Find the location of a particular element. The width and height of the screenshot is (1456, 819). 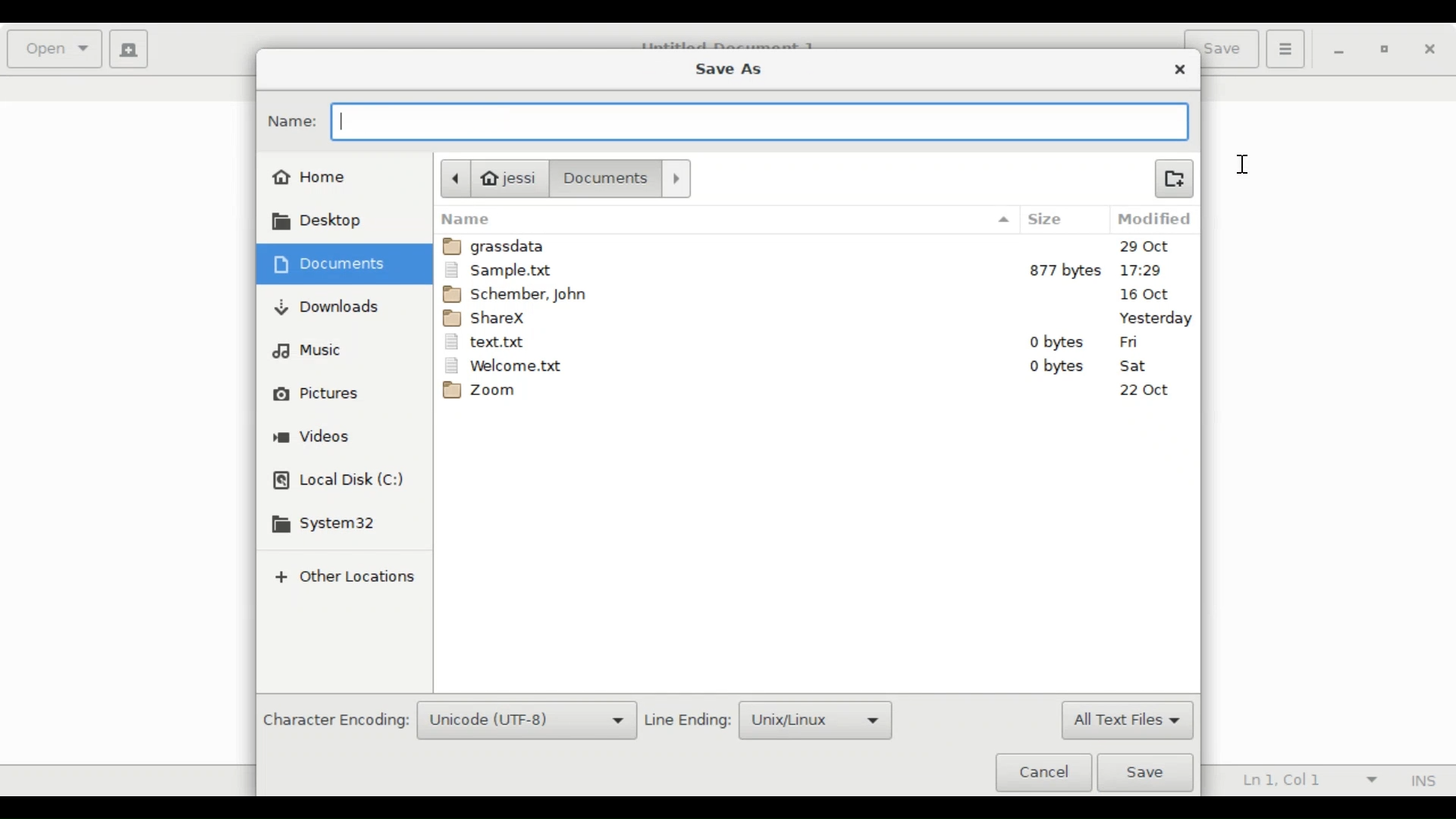

Open is located at coordinates (56, 49).